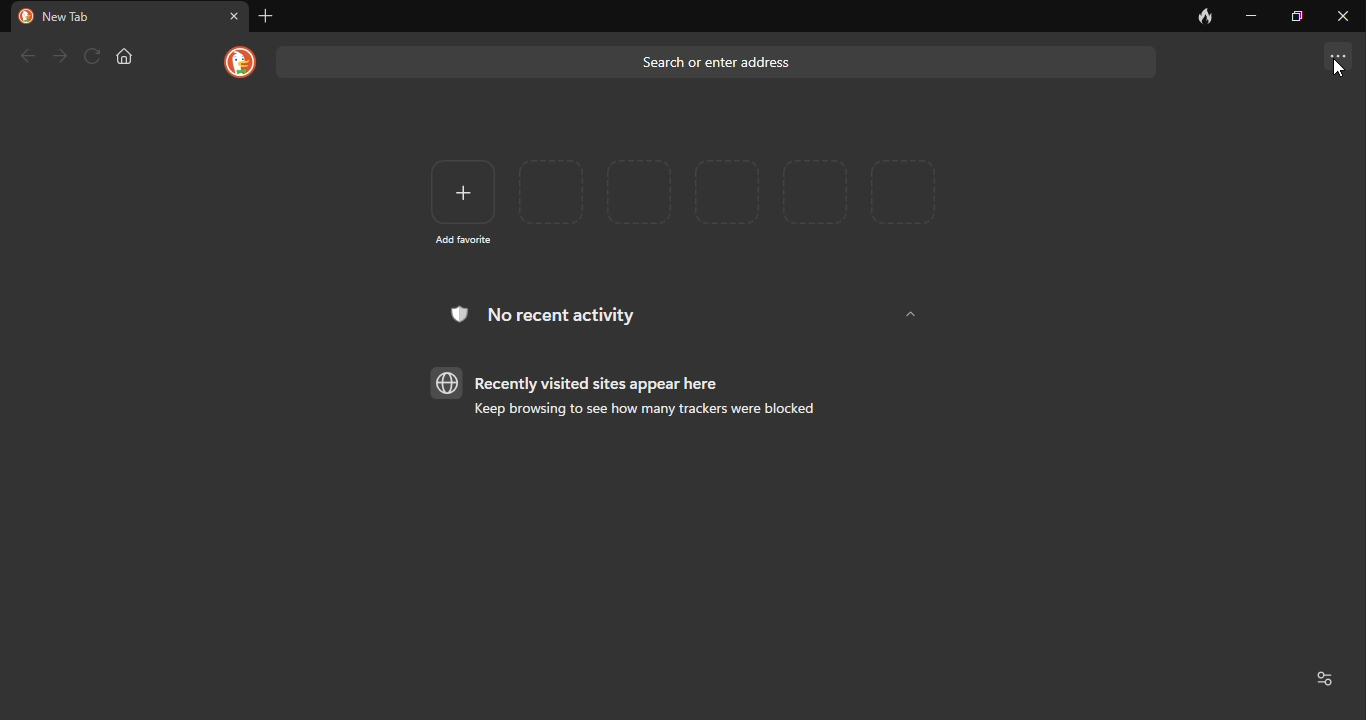 The height and width of the screenshot is (720, 1366). What do you see at coordinates (730, 192) in the screenshot?
I see `favourites` at bounding box center [730, 192].